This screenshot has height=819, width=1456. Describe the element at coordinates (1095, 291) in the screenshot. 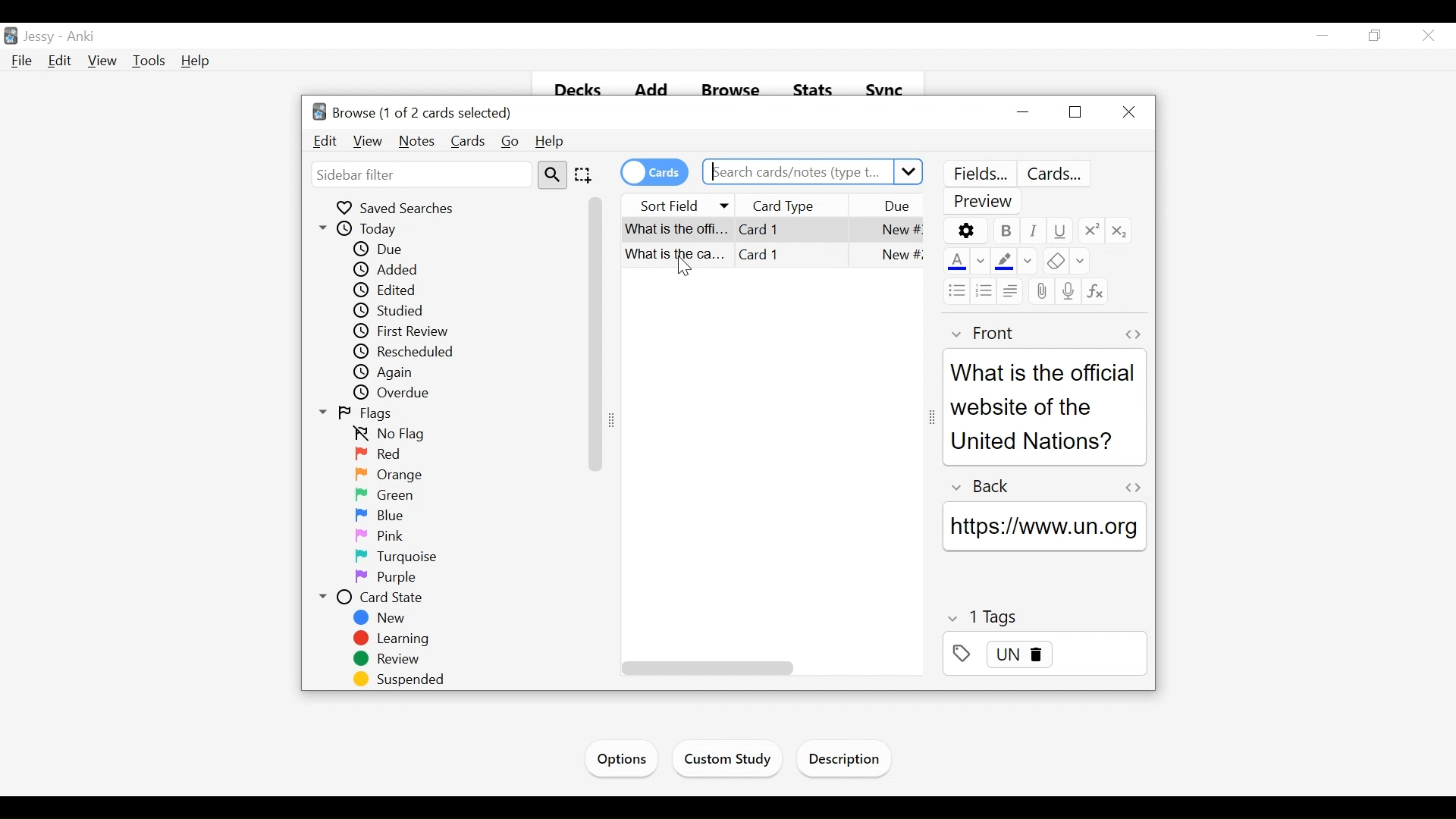

I see `Equation` at that location.